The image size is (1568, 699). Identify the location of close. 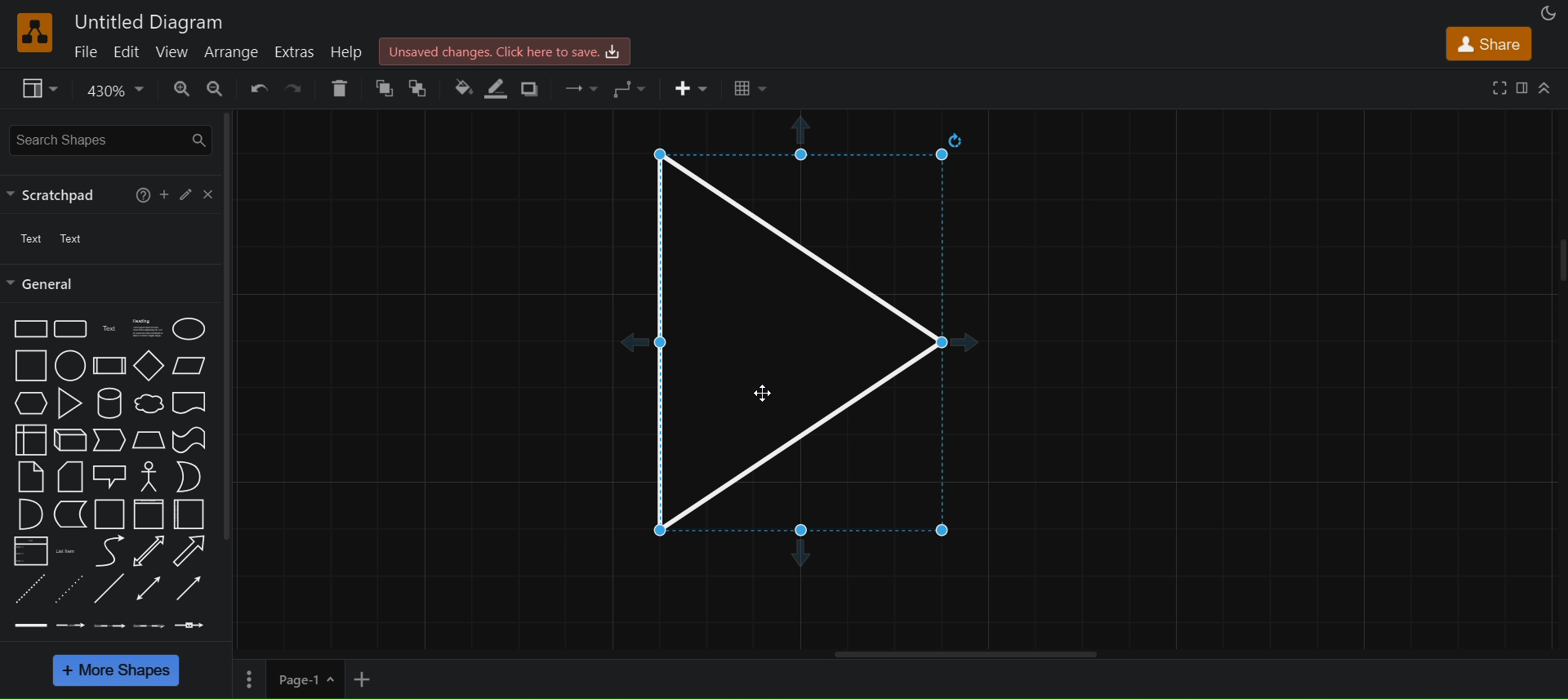
(207, 193).